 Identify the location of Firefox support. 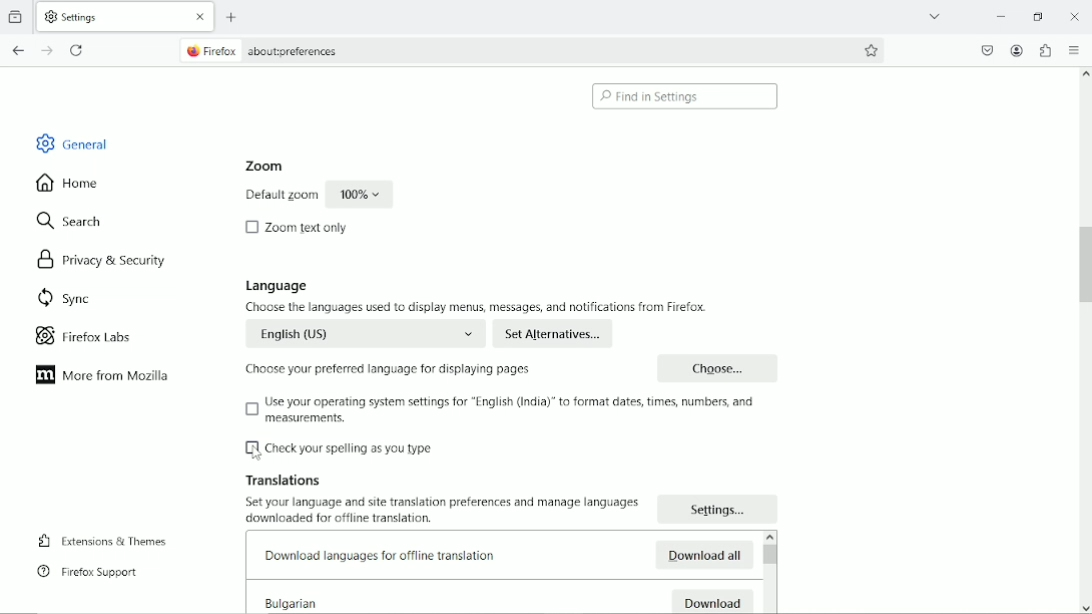
(85, 573).